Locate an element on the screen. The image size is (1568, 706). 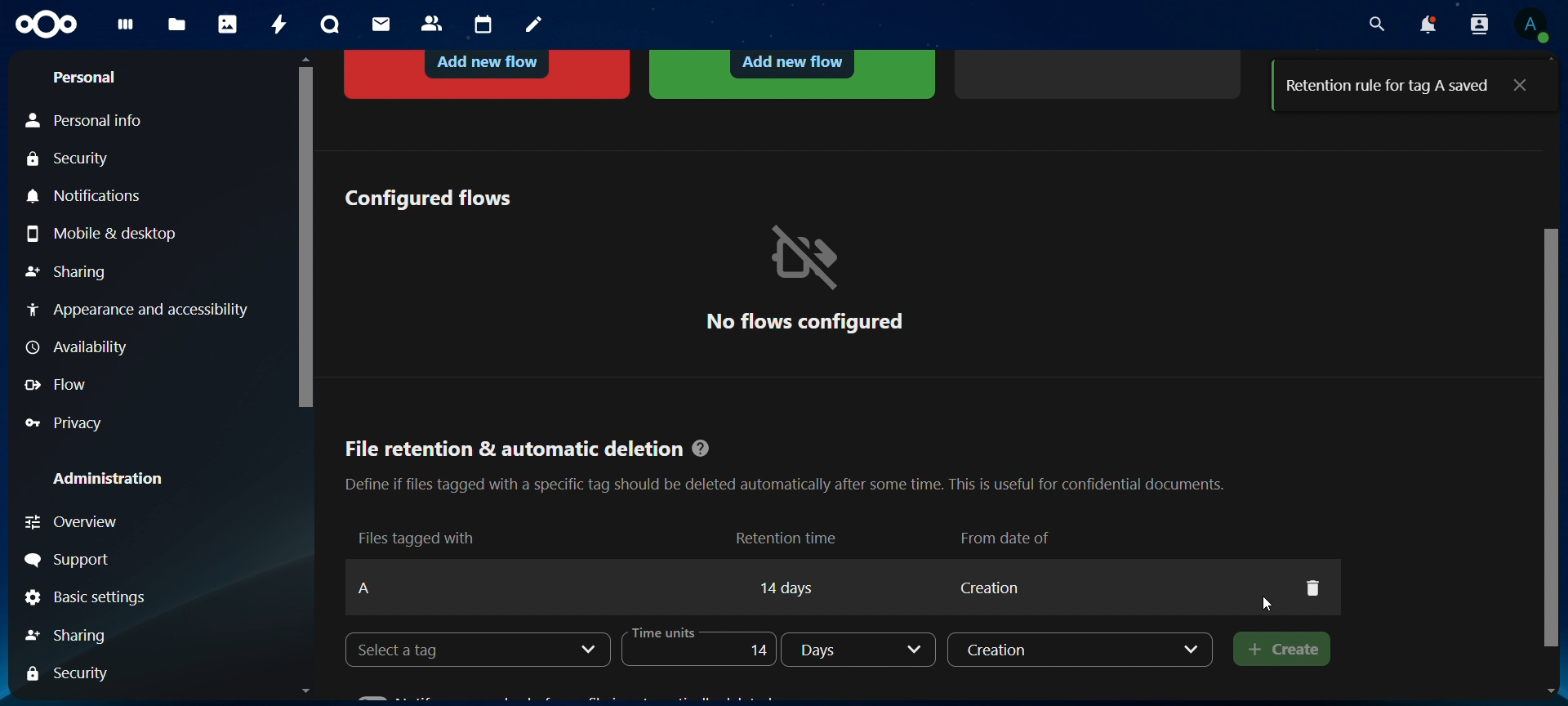
mail is located at coordinates (383, 24).